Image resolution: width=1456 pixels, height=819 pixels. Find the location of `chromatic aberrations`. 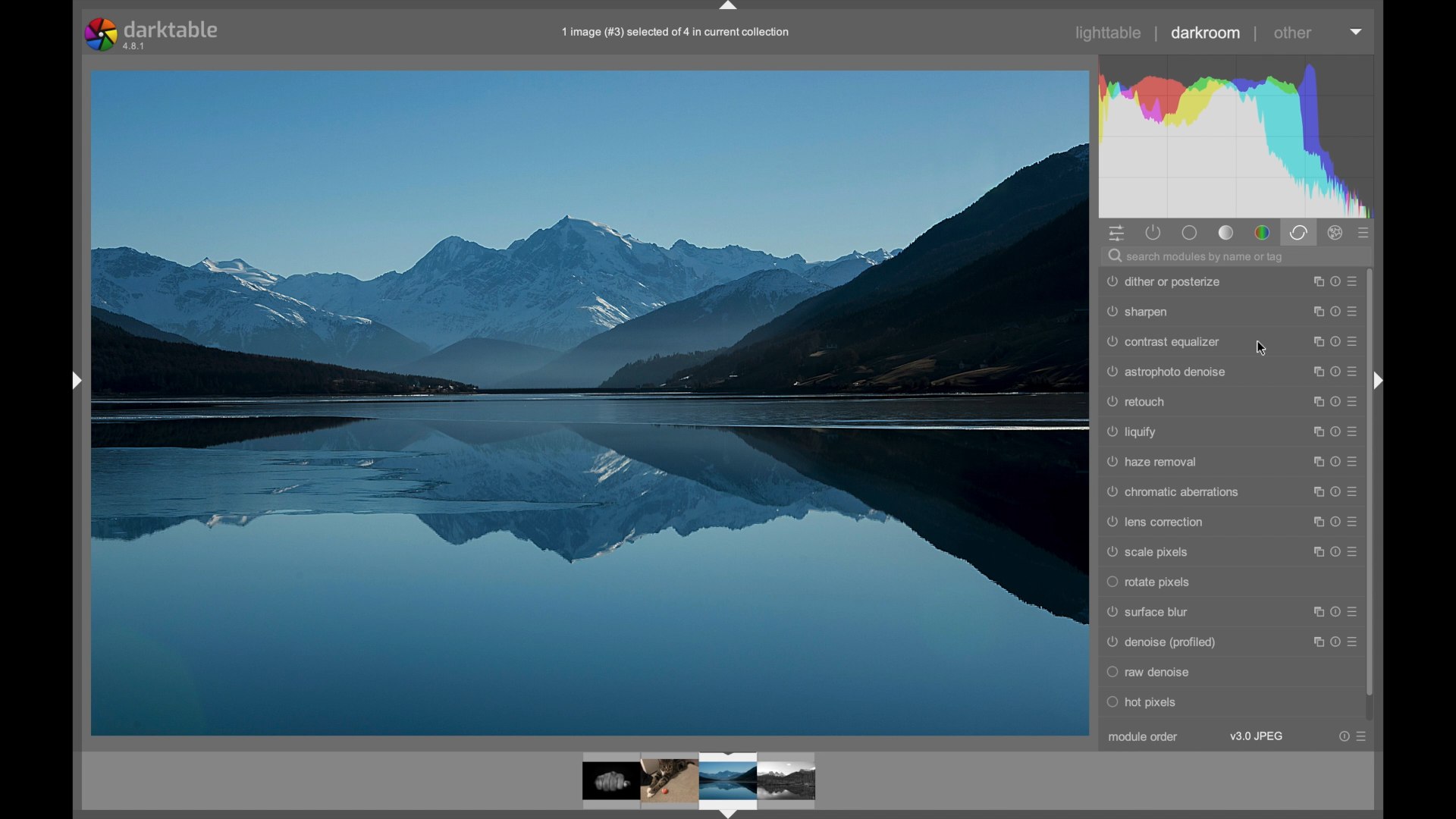

chromatic aberrations is located at coordinates (1174, 491).